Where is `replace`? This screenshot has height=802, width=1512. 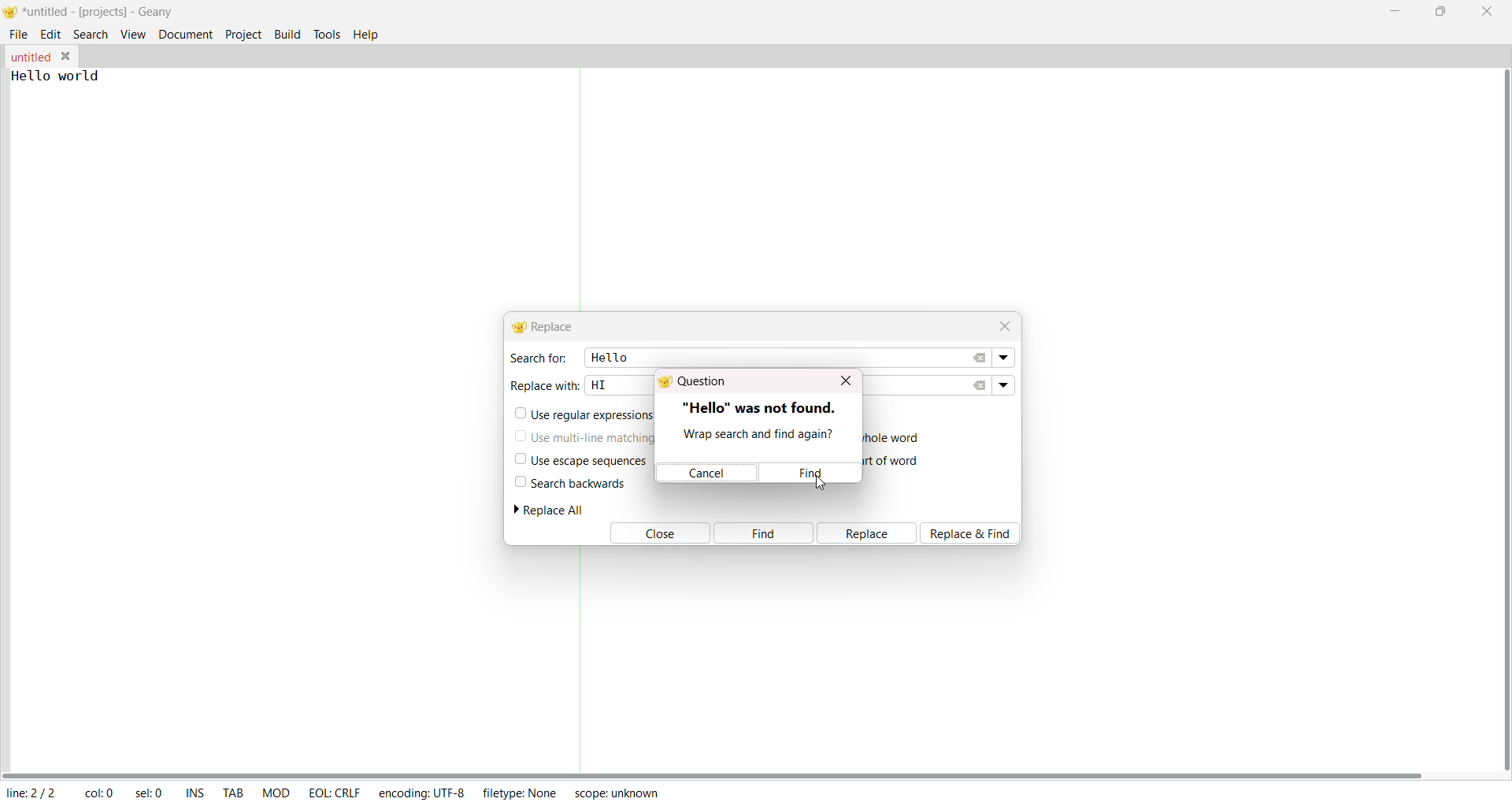 replace is located at coordinates (868, 533).